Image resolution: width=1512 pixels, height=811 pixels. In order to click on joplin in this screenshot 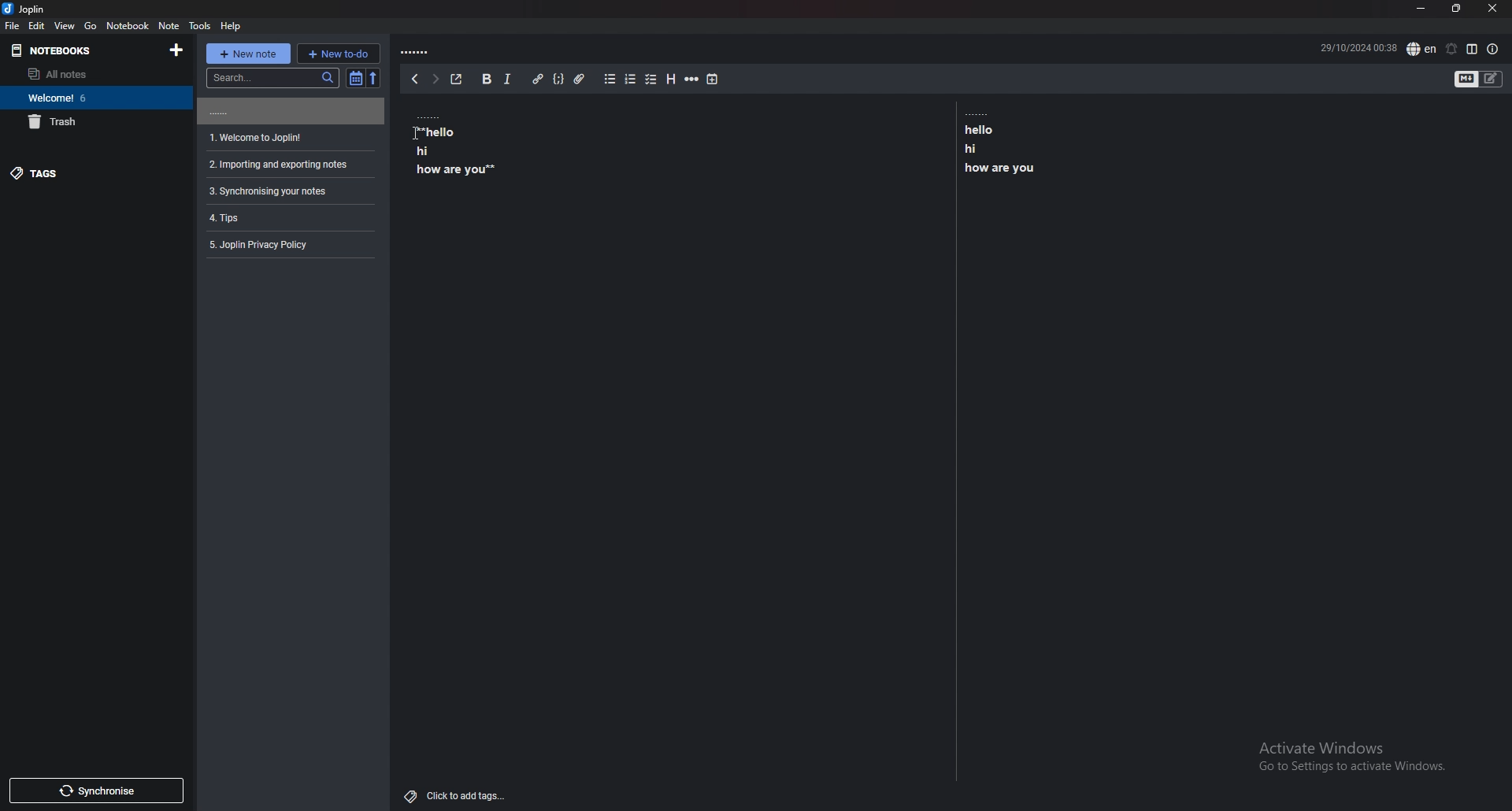, I will do `click(26, 9)`.